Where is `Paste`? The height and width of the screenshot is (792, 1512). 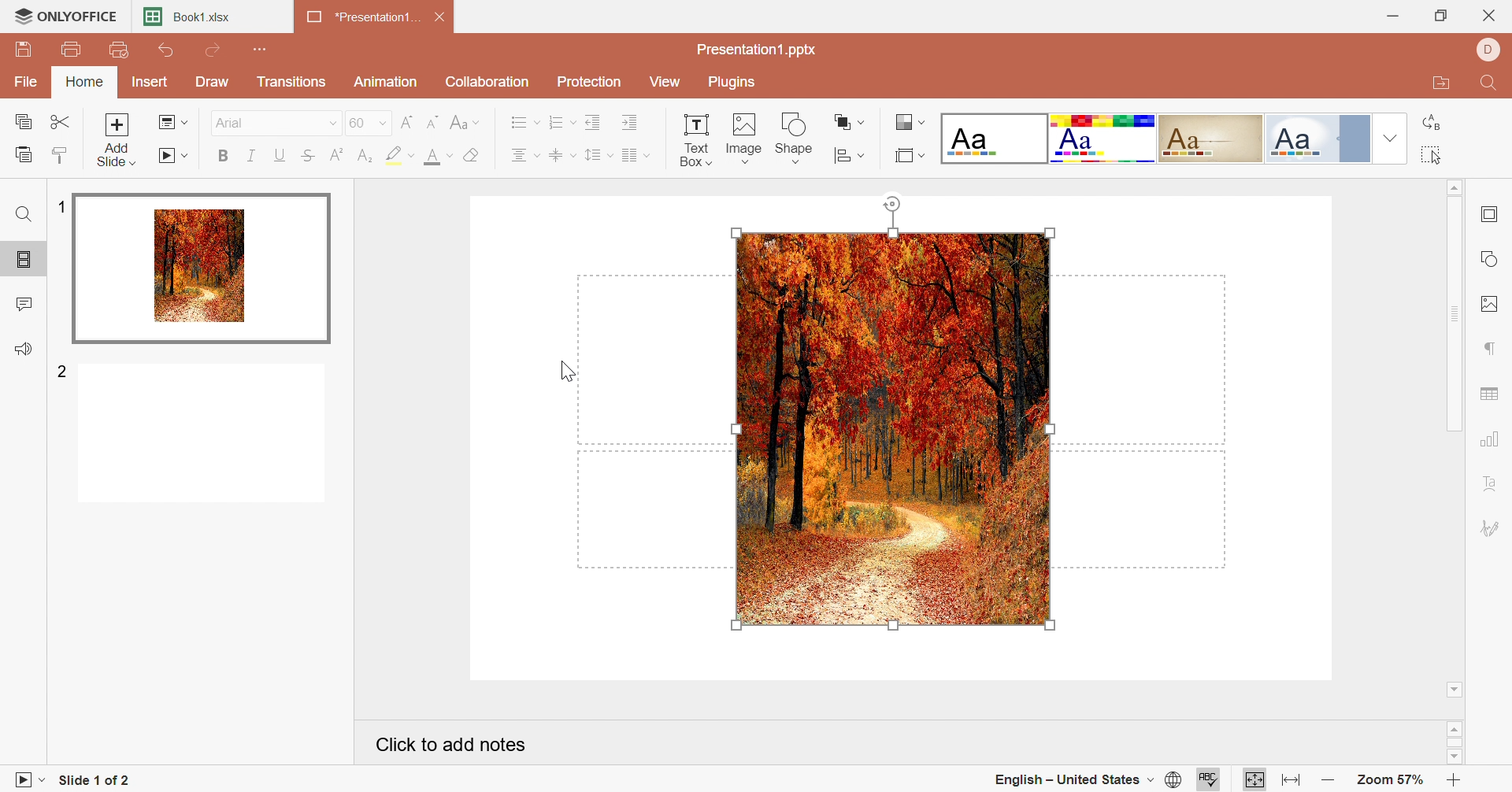
Paste is located at coordinates (22, 154).